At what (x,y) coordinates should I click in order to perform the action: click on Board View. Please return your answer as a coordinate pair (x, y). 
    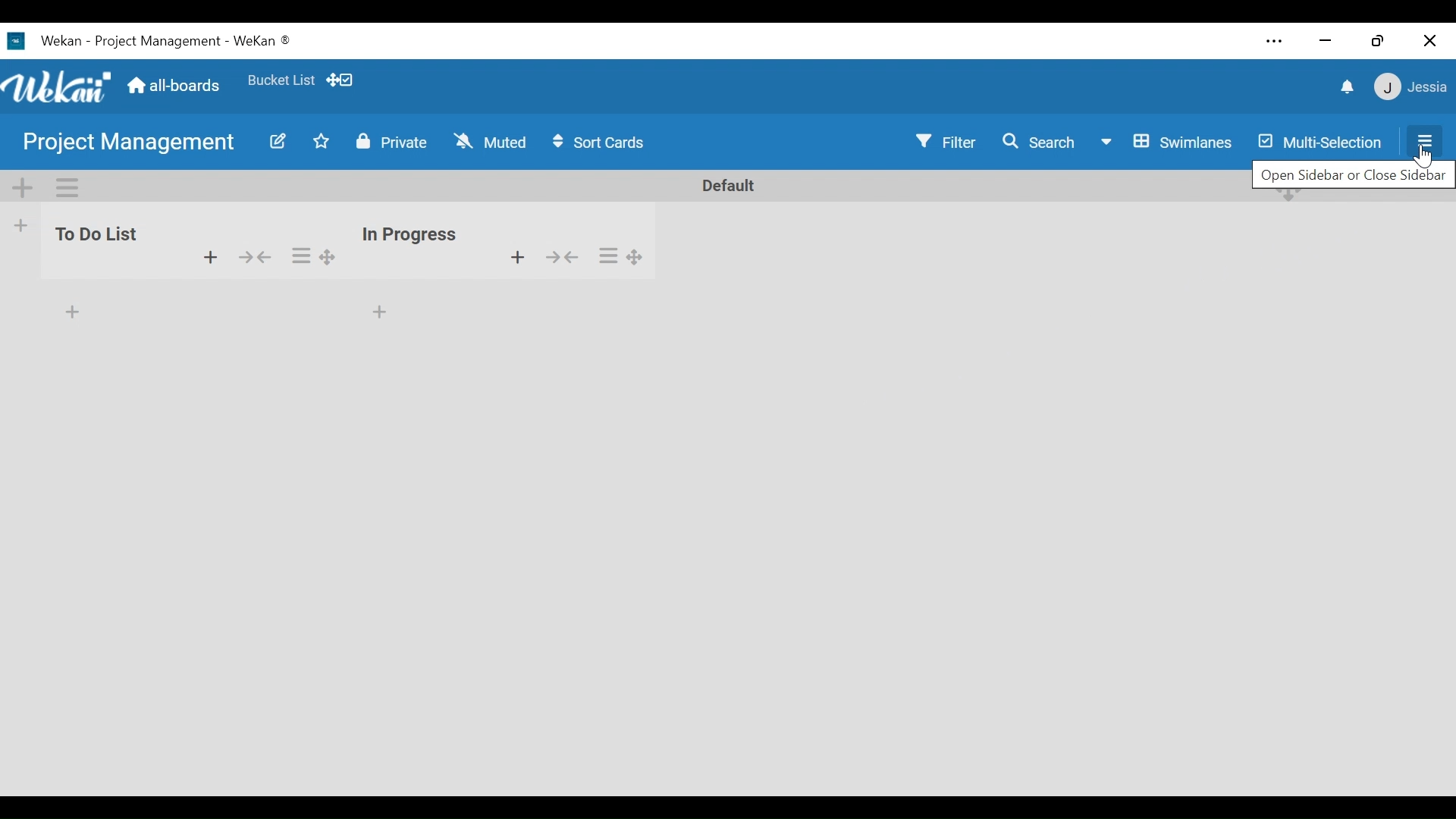
    Looking at the image, I should click on (1169, 143).